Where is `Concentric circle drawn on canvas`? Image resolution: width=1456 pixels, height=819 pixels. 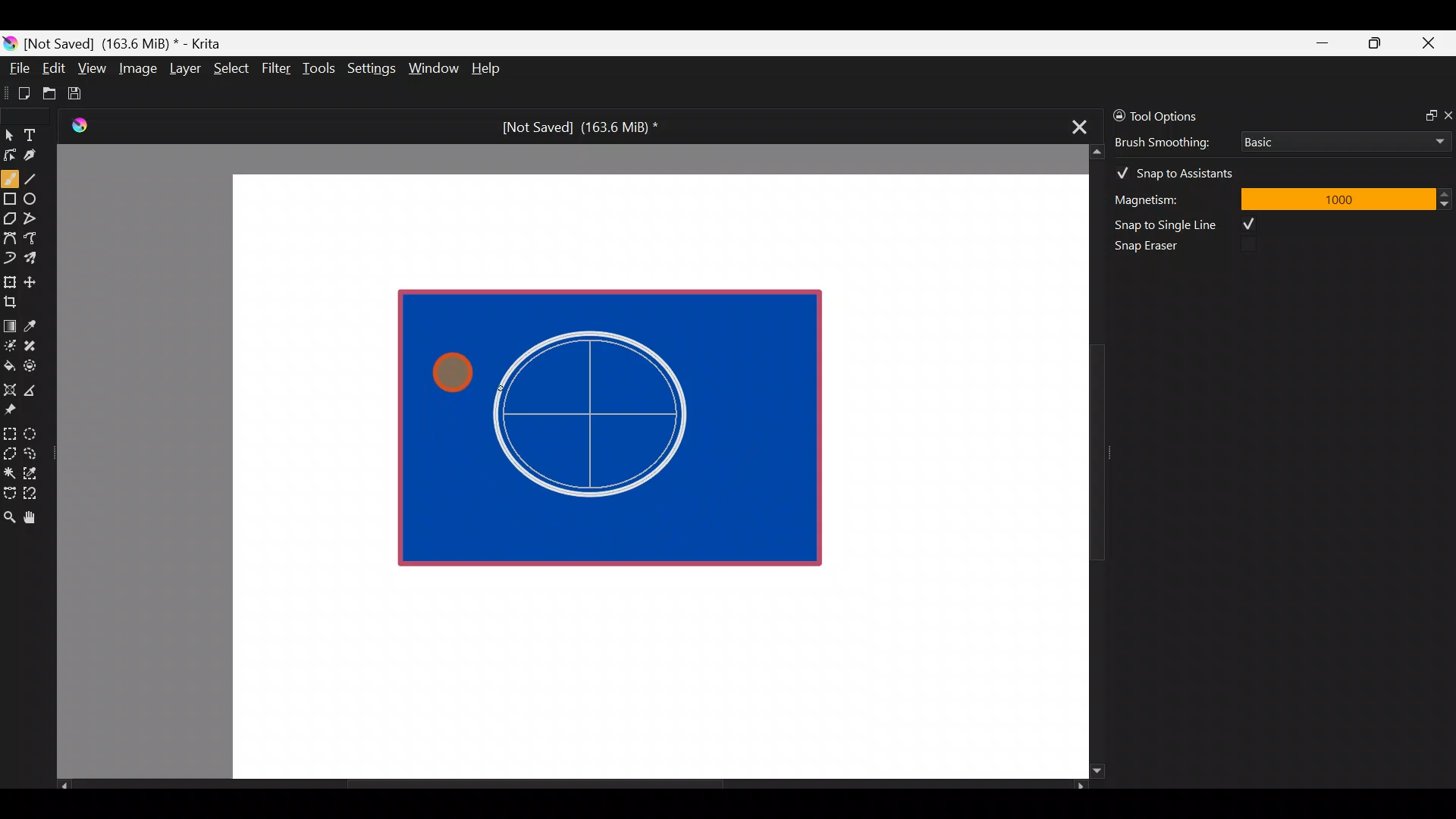
Concentric circle drawn on canvas is located at coordinates (601, 414).